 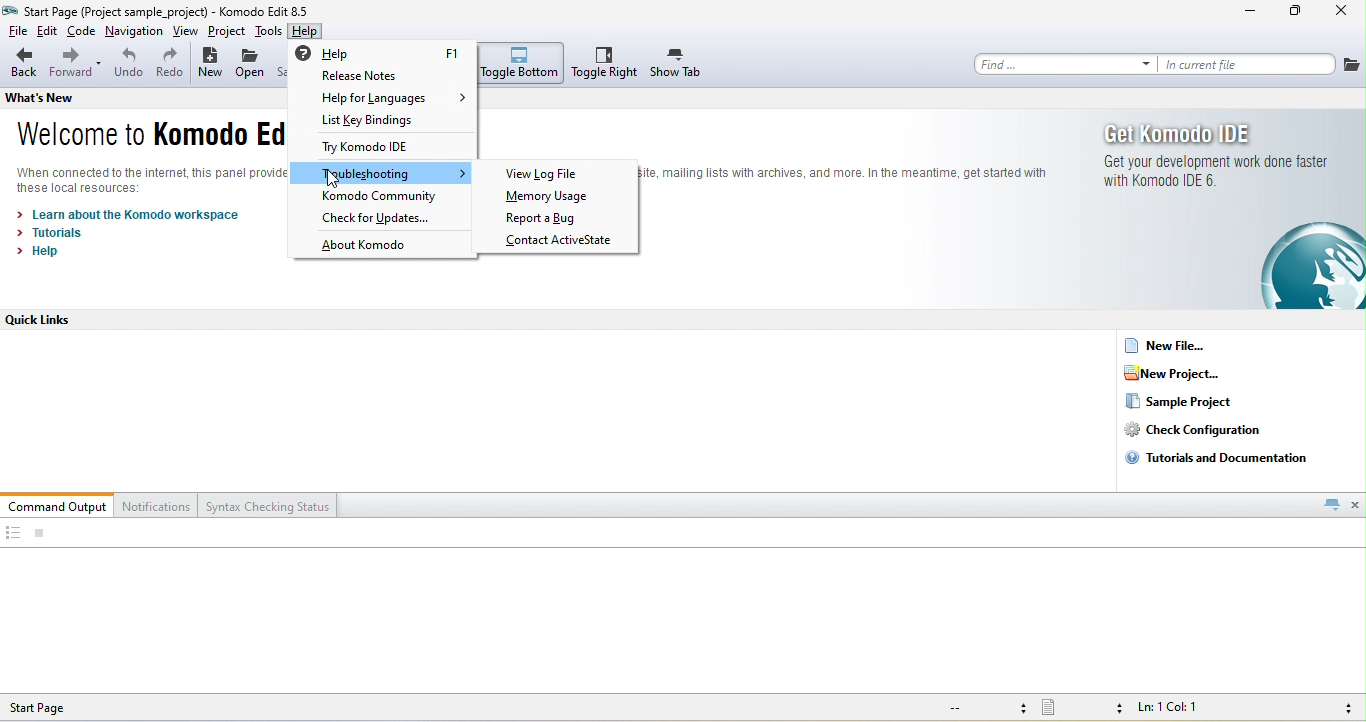 I want to click on release notes, so click(x=383, y=77).